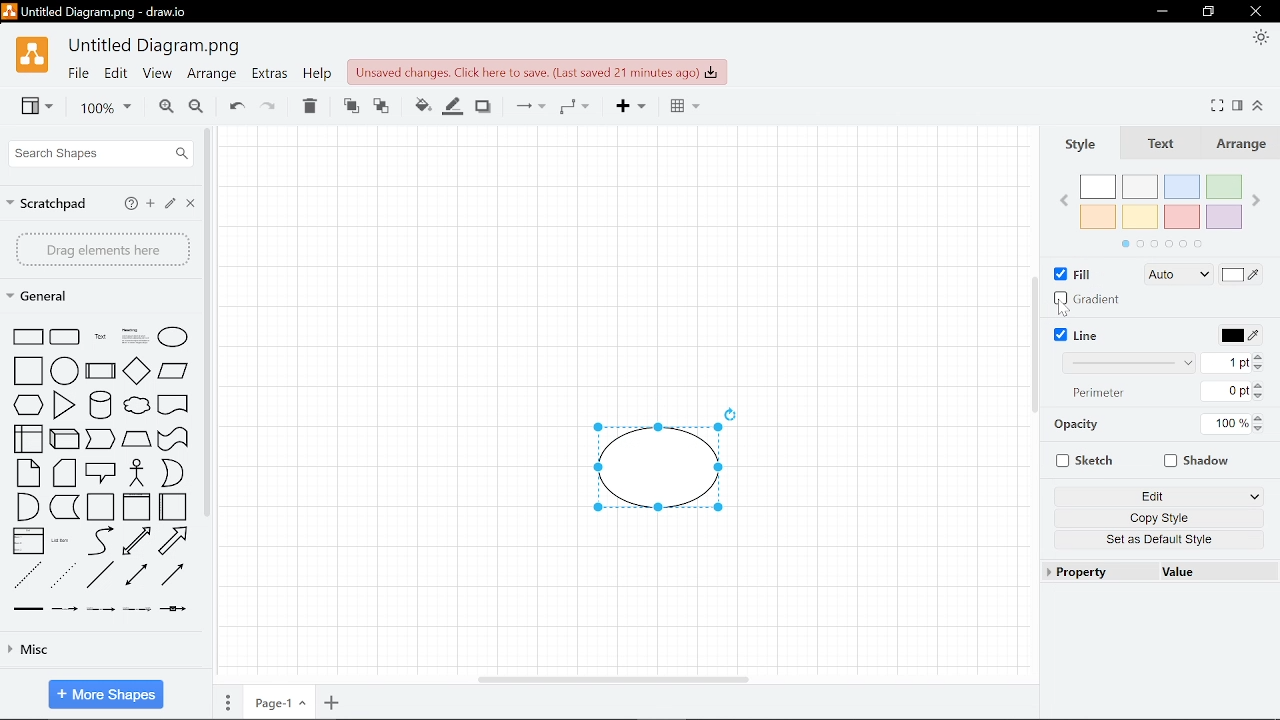 The image size is (1280, 720). Describe the element at coordinates (628, 106) in the screenshot. I see `Insert` at that location.